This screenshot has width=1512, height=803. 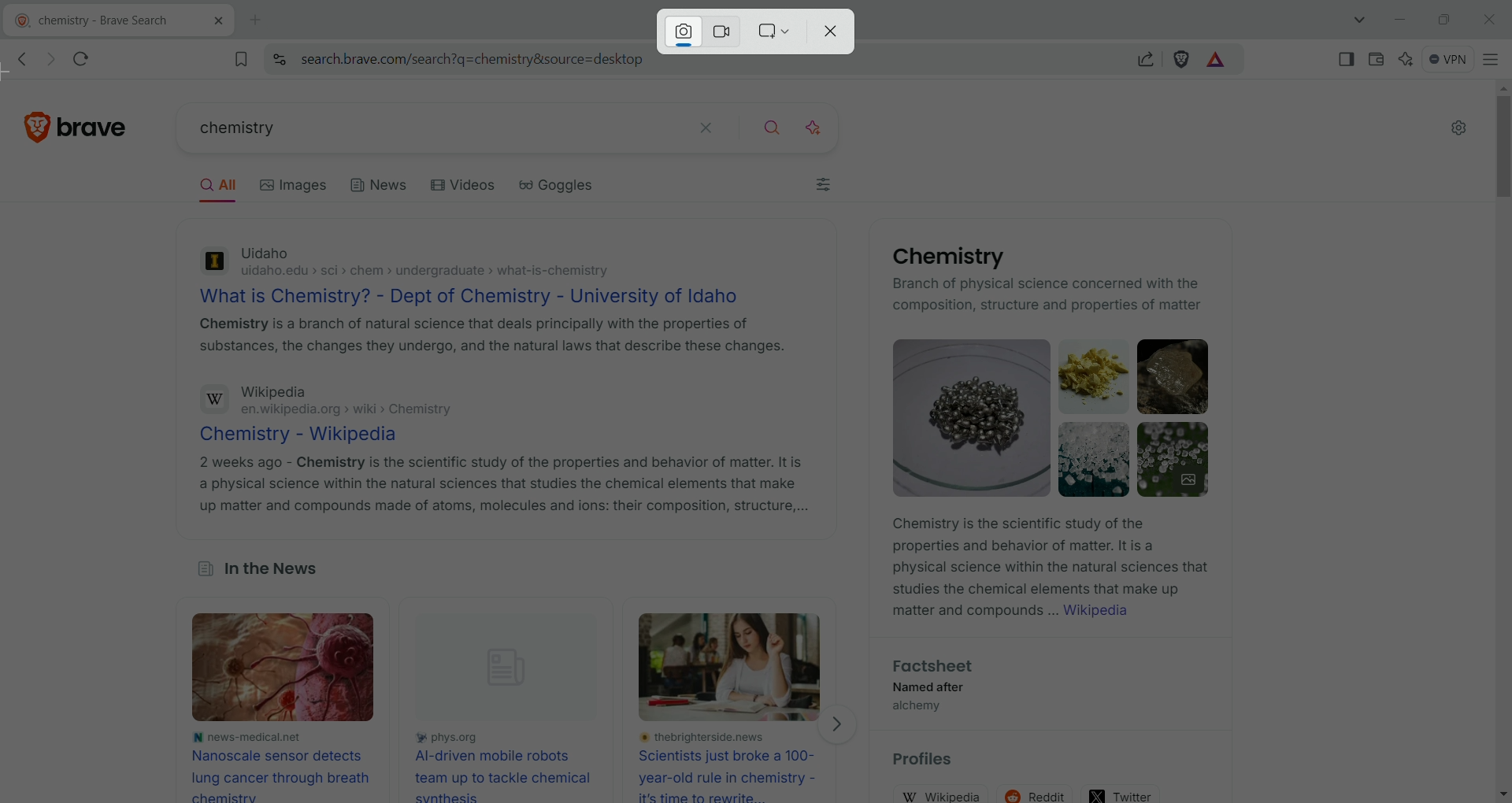 What do you see at coordinates (1406, 59) in the screenshot?
I see `leo AI` at bounding box center [1406, 59].